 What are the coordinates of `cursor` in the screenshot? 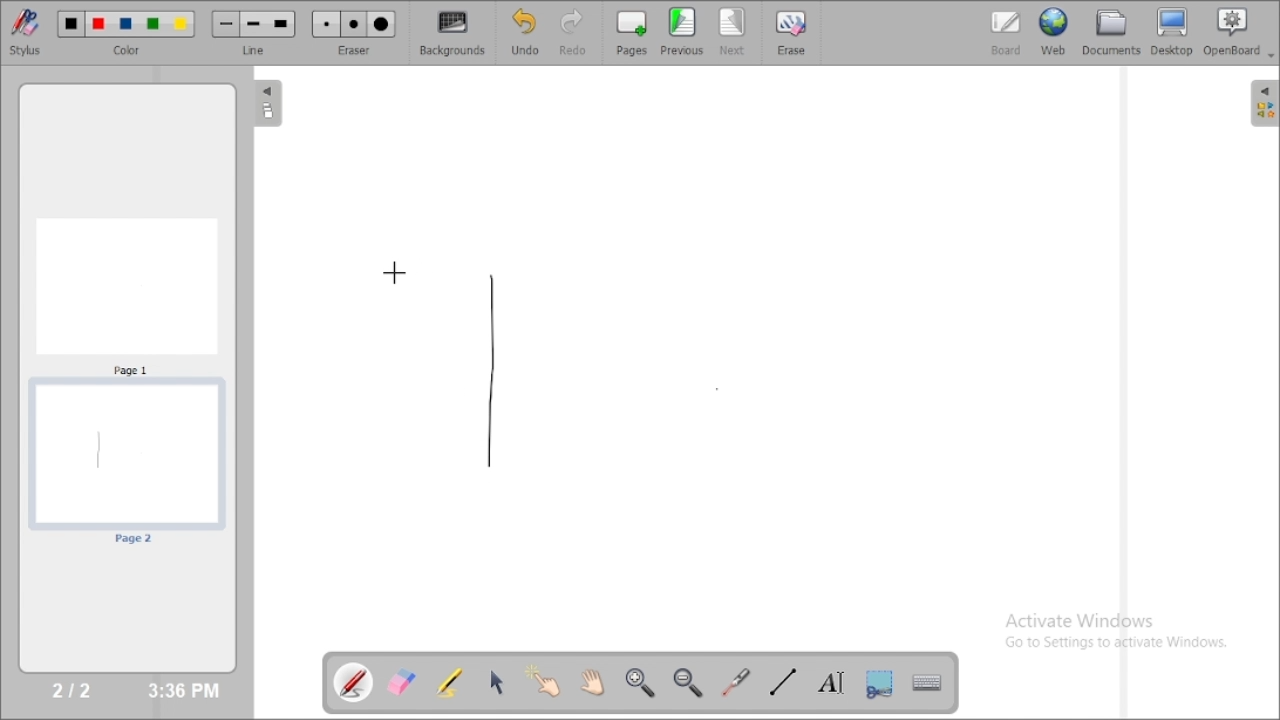 It's located at (394, 271).